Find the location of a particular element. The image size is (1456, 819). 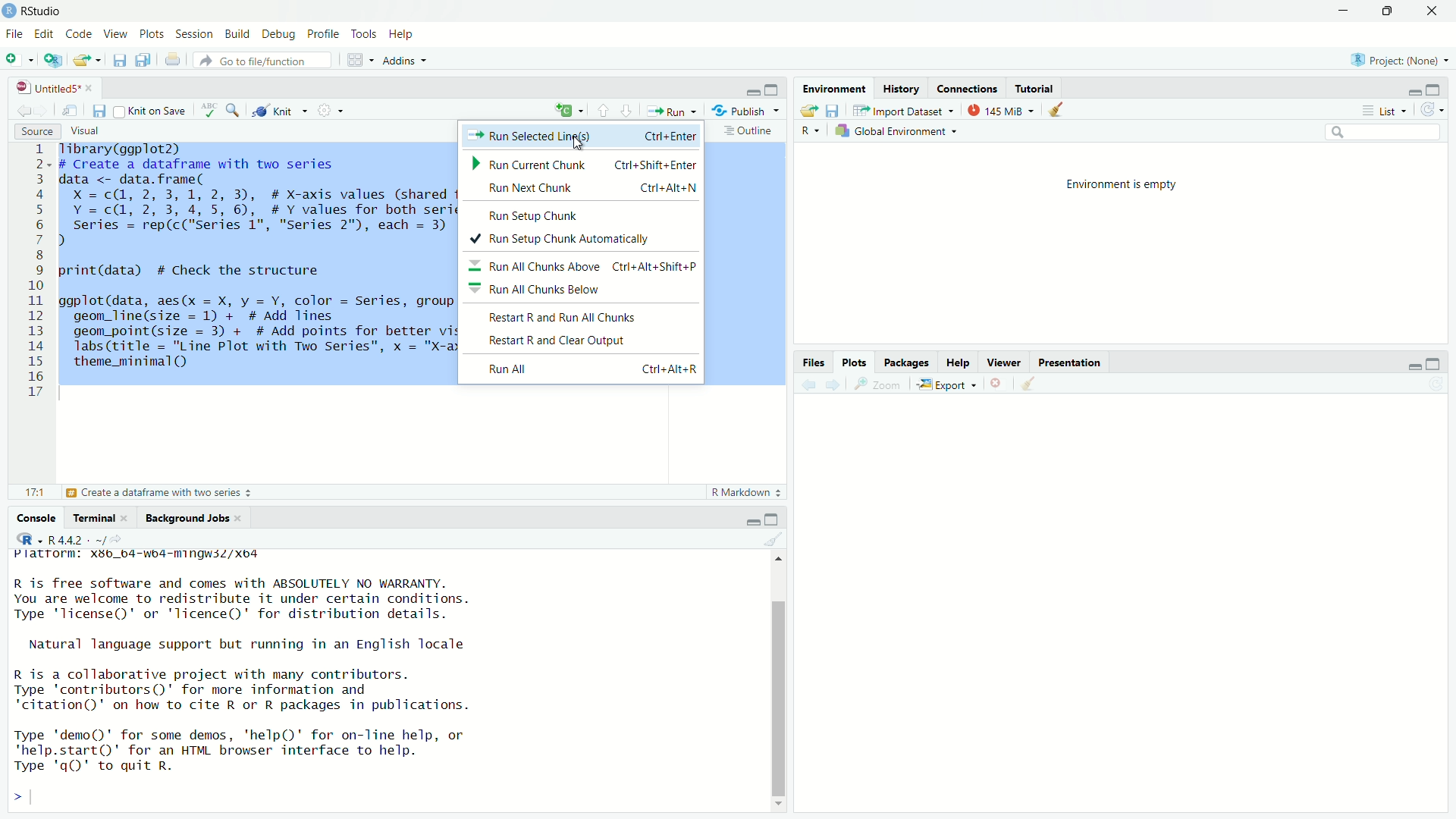

Maximize is located at coordinates (773, 89).